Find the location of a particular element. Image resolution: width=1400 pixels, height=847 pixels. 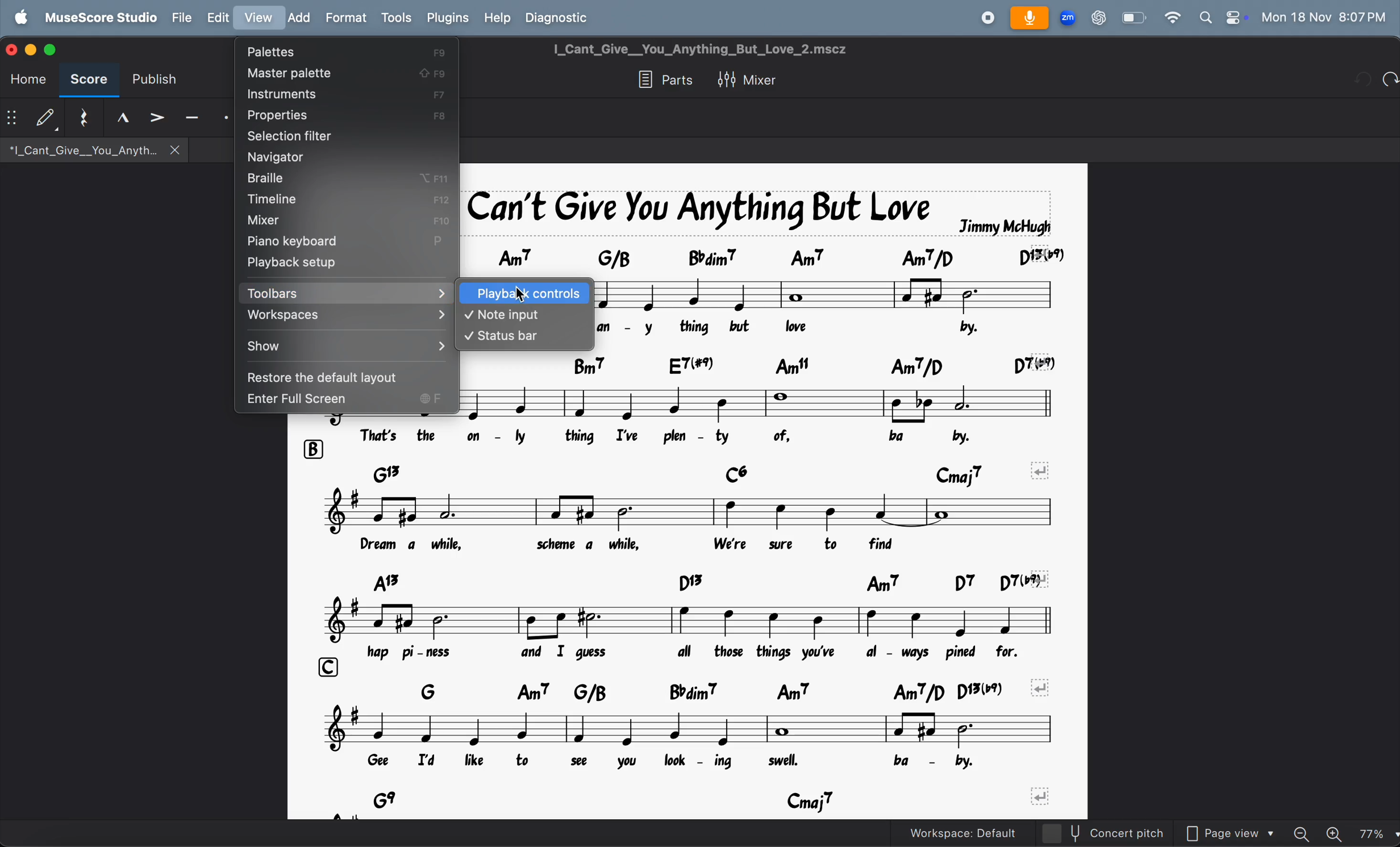

format is located at coordinates (346, 18).